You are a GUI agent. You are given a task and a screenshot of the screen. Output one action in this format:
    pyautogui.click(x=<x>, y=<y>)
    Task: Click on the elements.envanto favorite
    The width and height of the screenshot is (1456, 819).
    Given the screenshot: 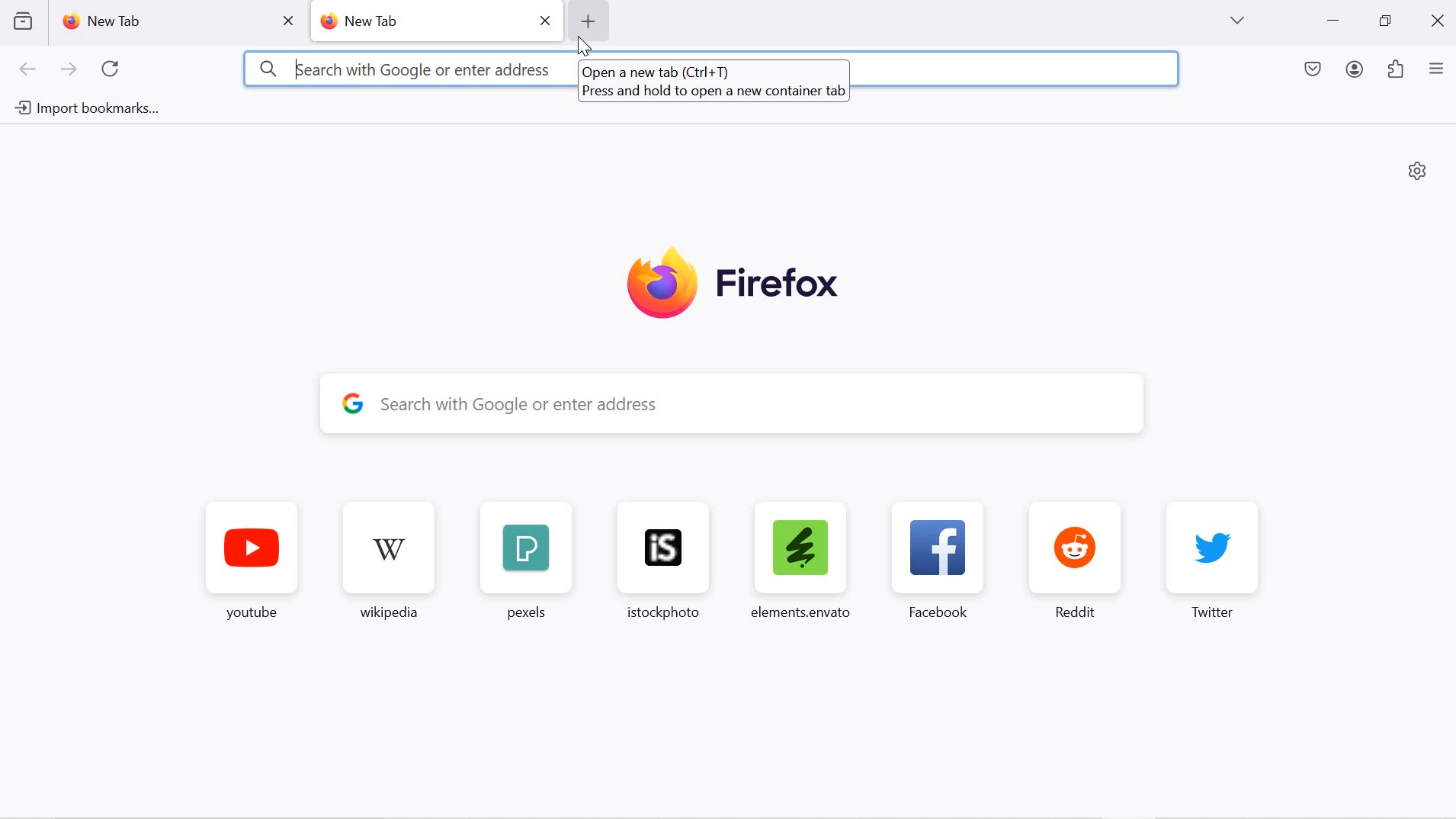 What is the action you would take?
    pyautogui.click(x=799, y=559)
    